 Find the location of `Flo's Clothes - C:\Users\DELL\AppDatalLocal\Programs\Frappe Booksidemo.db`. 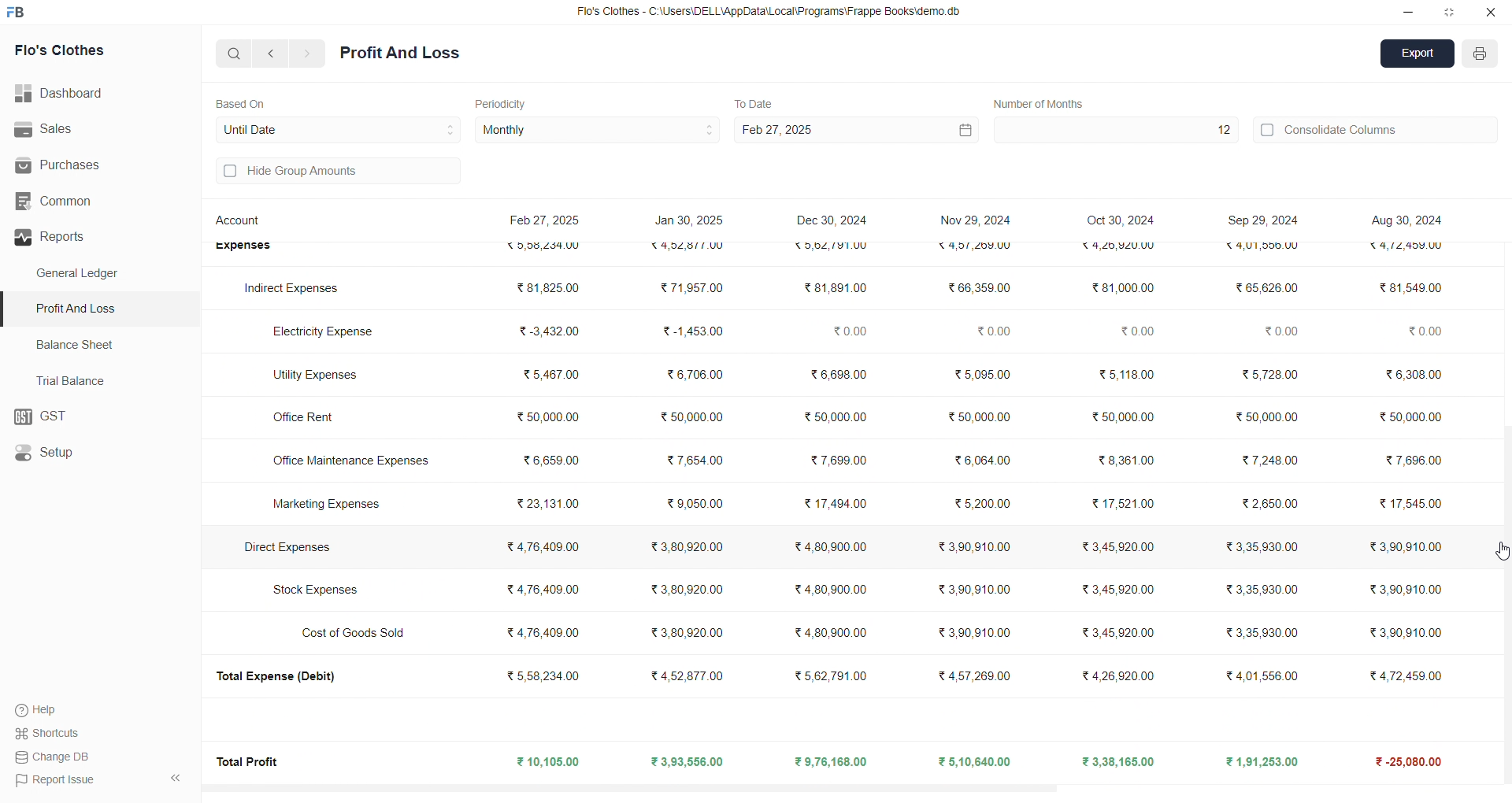

Flo's Clothes - C:\Users\DELL\AppDatalLocal\Programs\Frappe Booksidemo.db is located at coordinates (771, 13).